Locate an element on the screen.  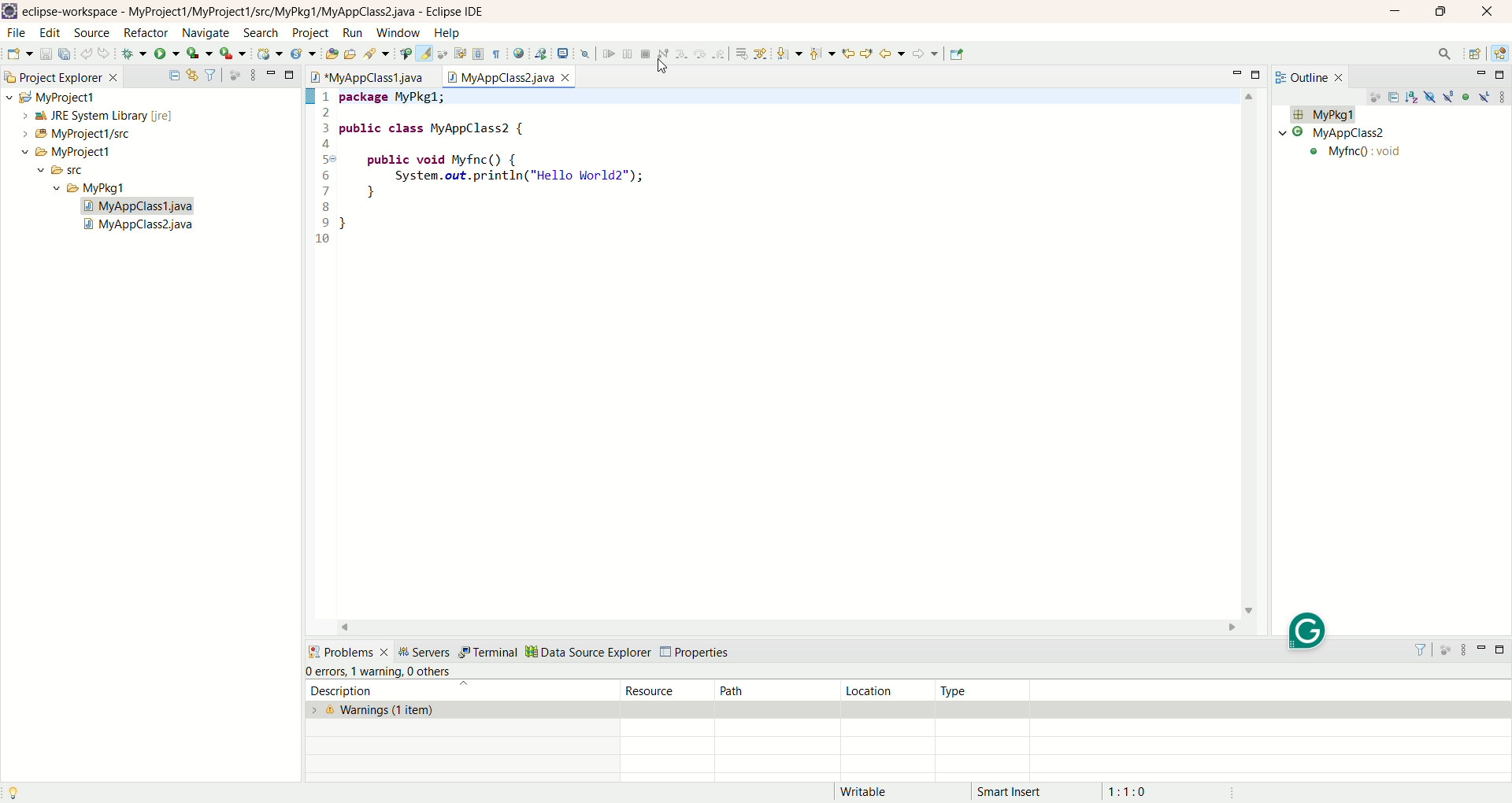
step return is located at coordinates (720, 56).